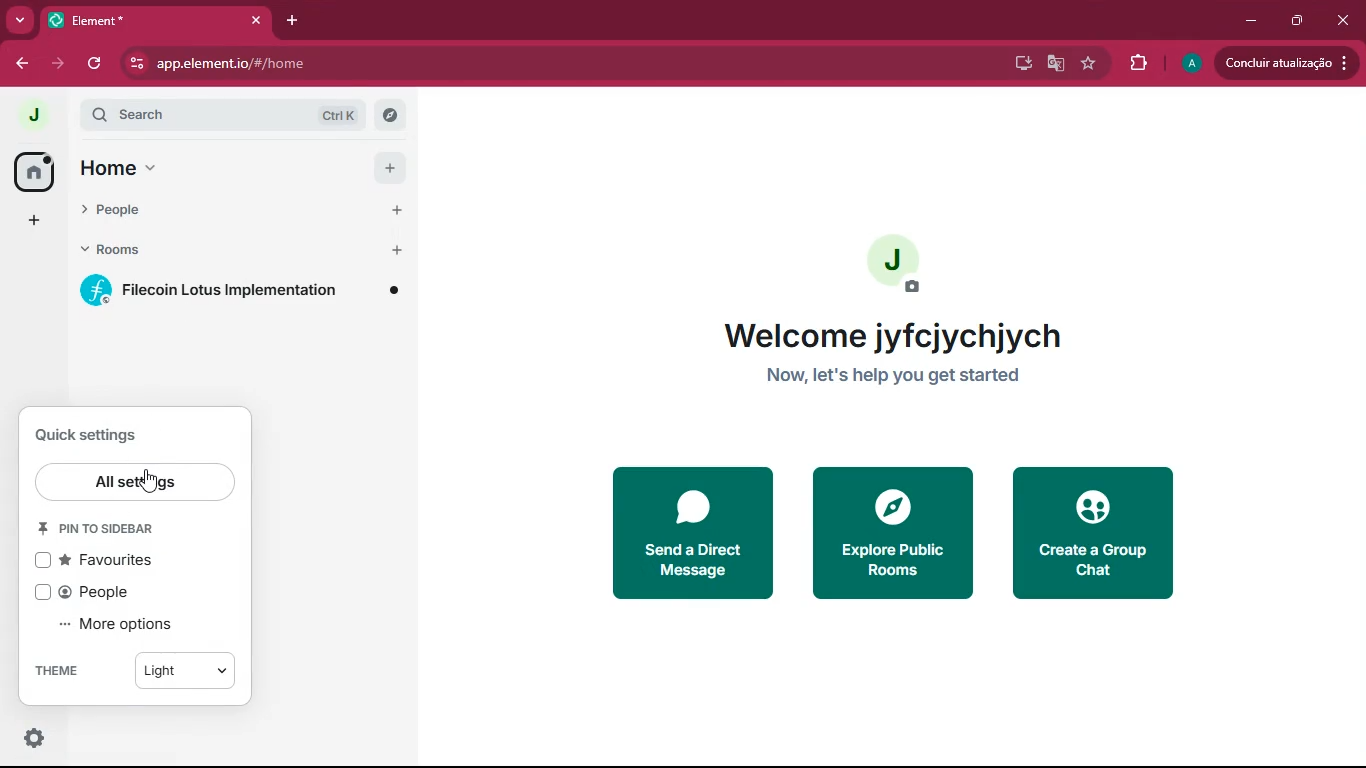 The width and height of the screenshot is (1366, 768). Describe the element at coordinates (393, 210) in the screenshot. I see `add button` at that location.